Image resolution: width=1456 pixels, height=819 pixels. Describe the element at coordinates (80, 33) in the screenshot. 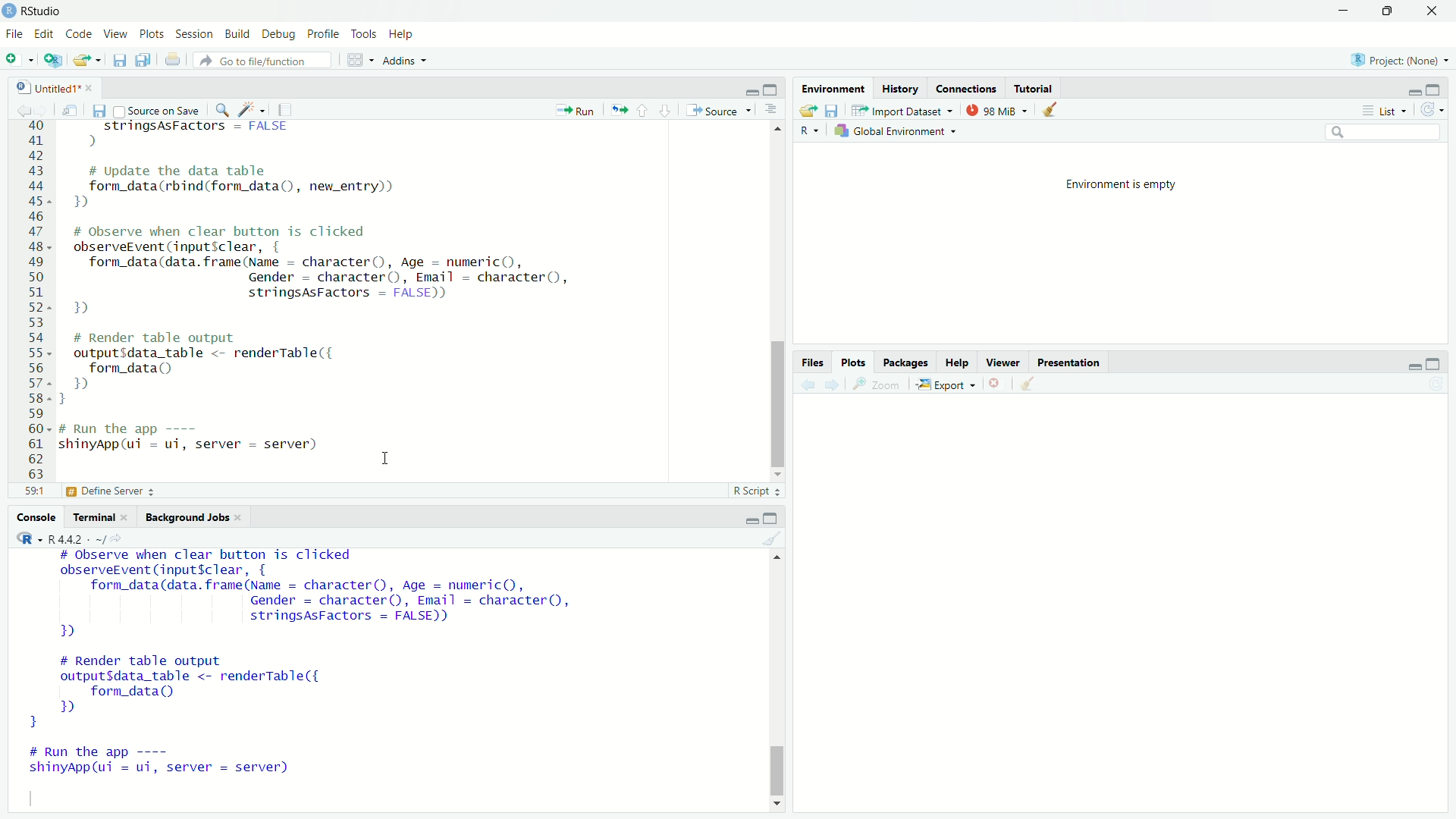

I see `Code` at that location.